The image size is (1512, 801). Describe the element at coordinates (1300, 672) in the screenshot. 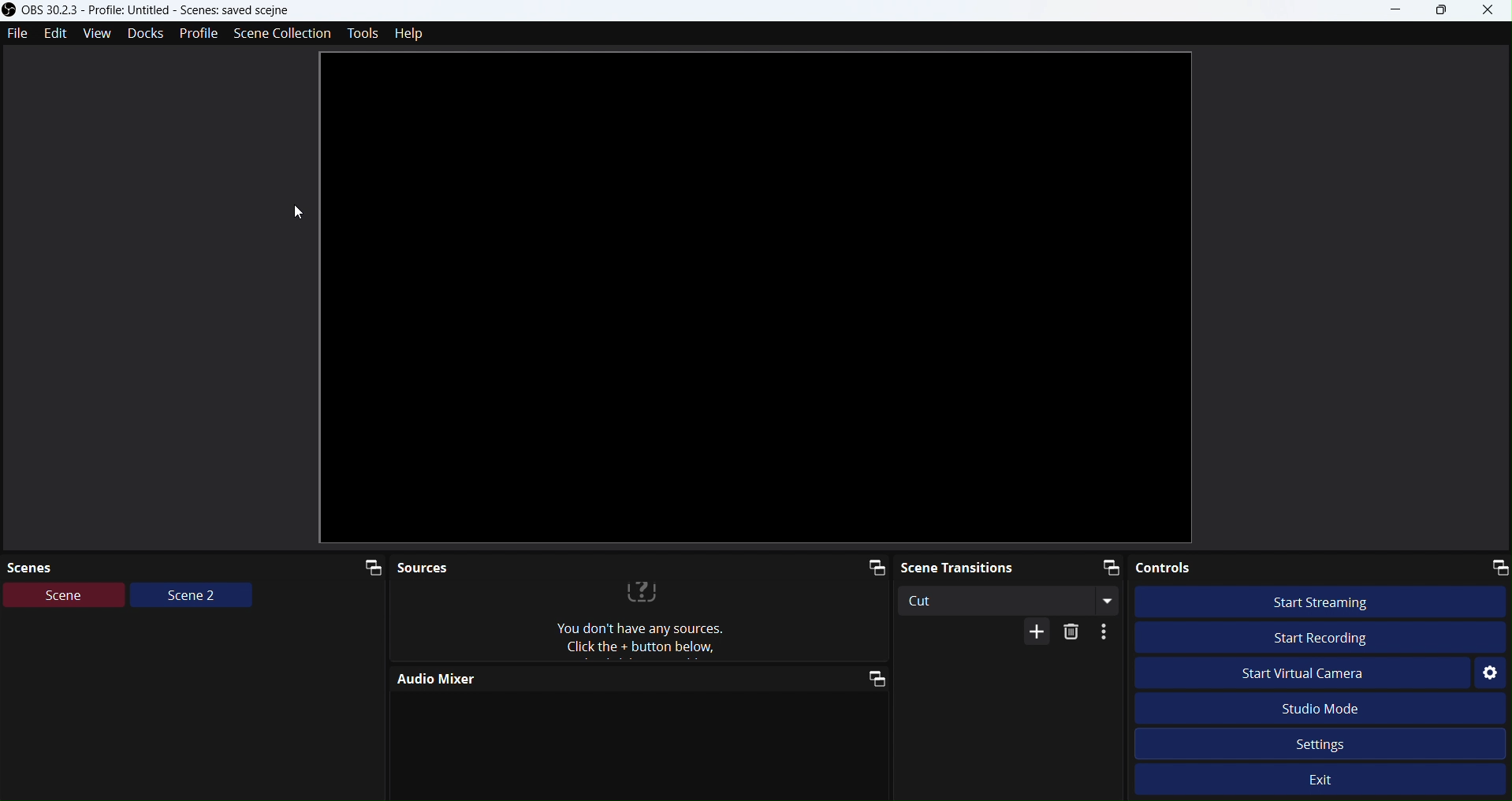

I see `Start Virtual Camera` at that location.